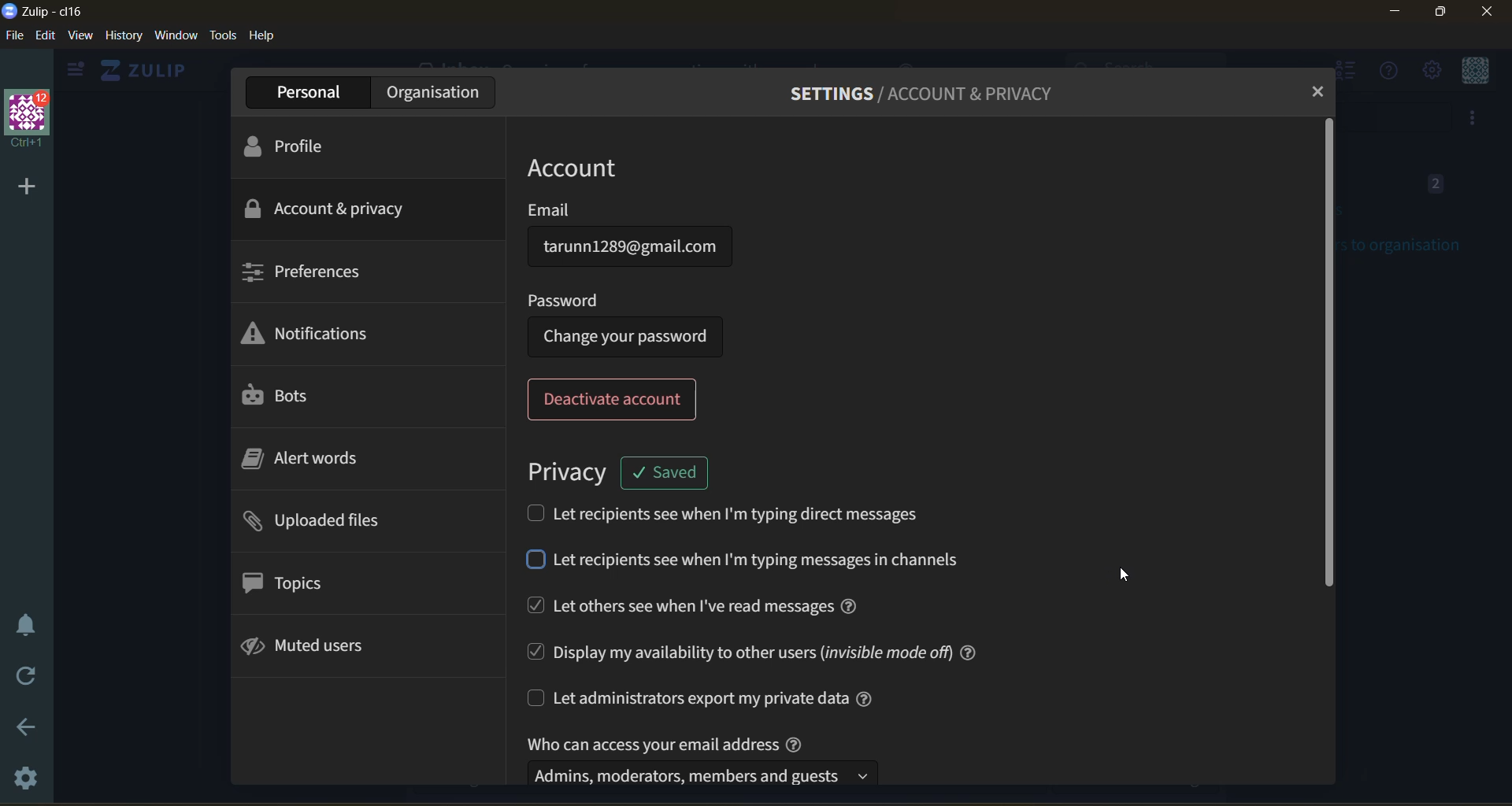 The height and width of the screenshot is (806, 1512). I want to click on cursor, so click(1132, 576).